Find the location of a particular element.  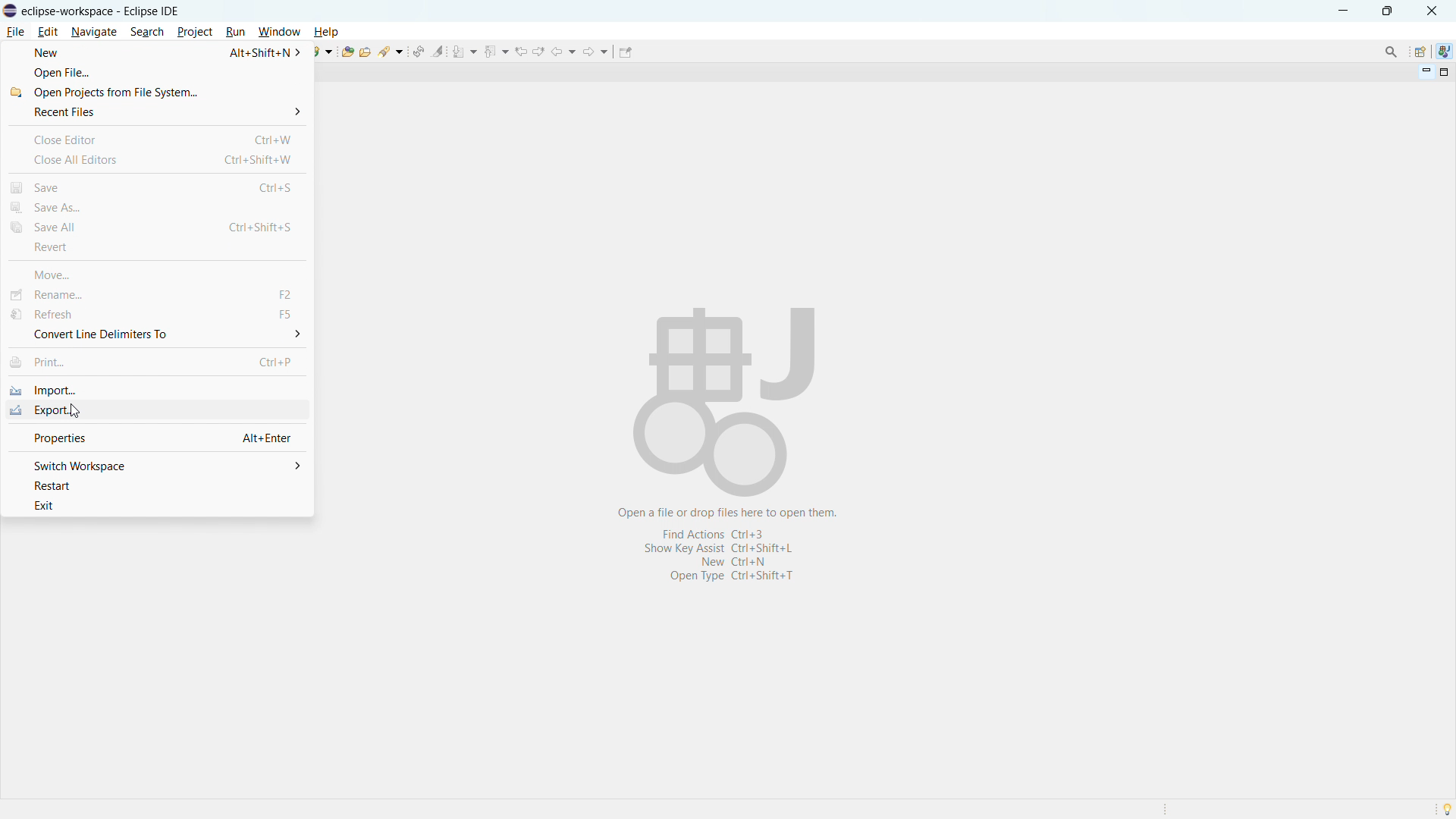

toggle ant editor auto reconcile is located at coordinates (418, 51).